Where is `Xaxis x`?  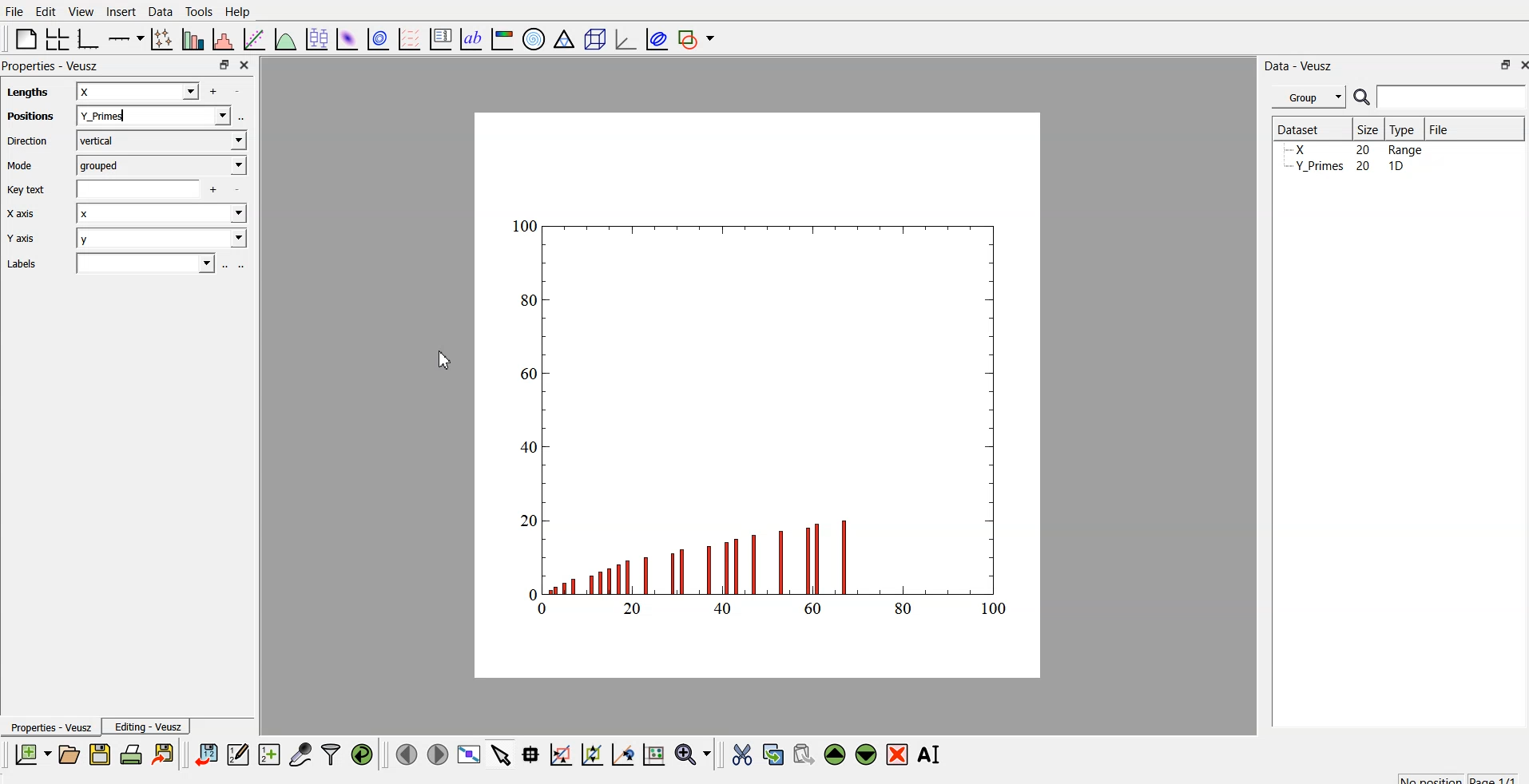 Xaxis x is located at coordinates (131, 216).